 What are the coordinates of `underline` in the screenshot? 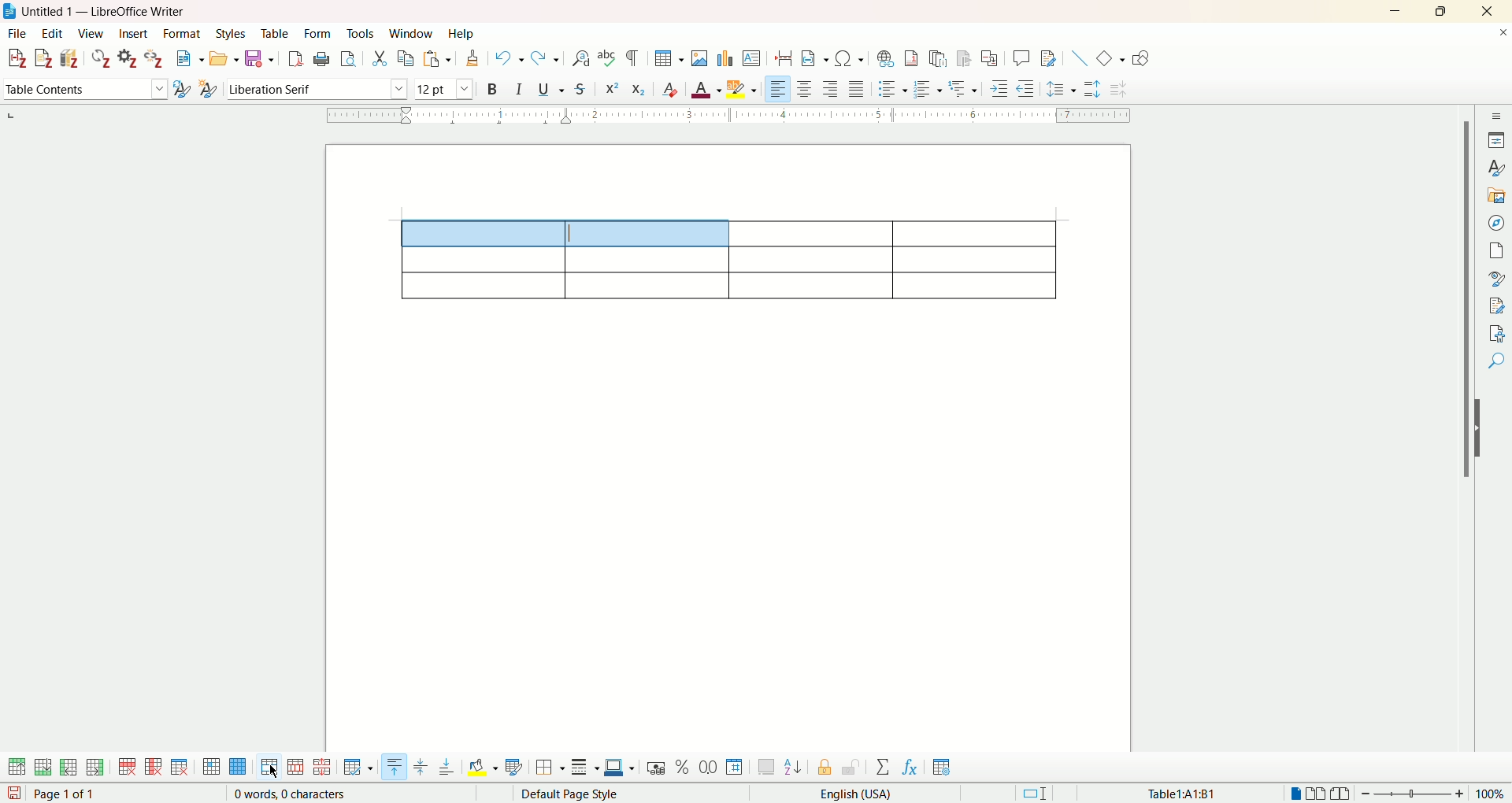 It's located at (552, 92).